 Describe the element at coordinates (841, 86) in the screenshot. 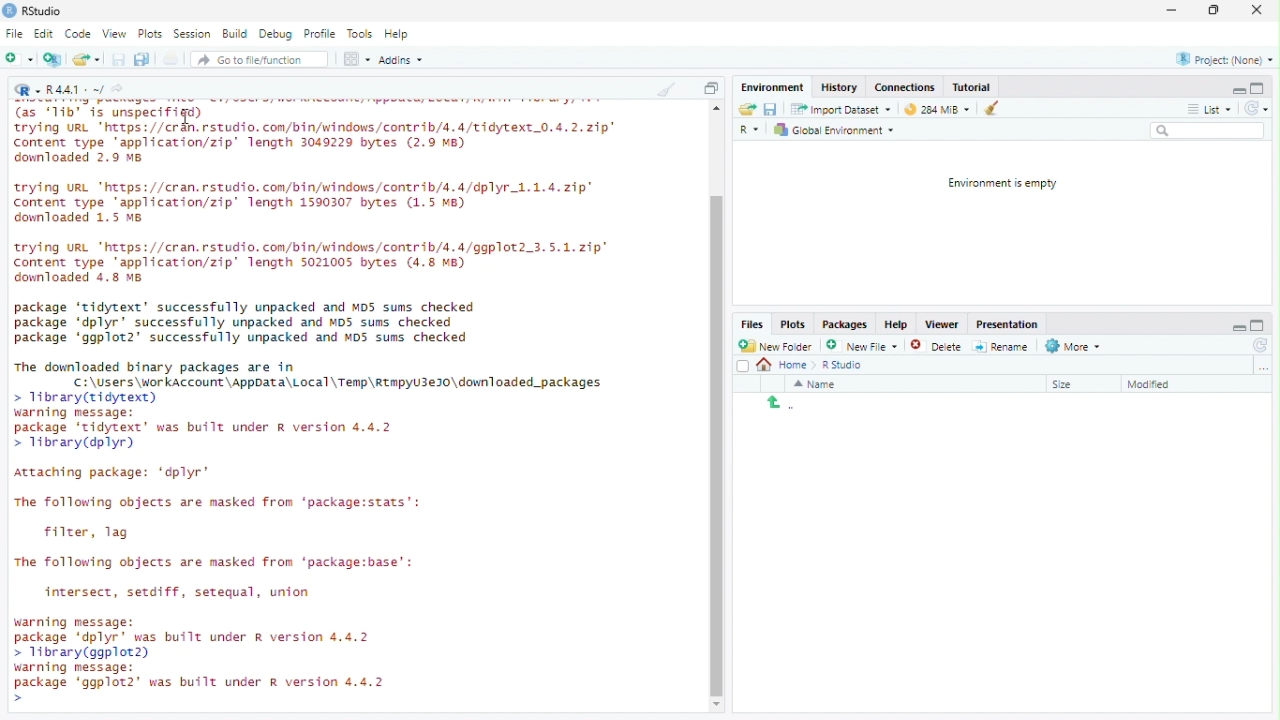

I see `History` at that location.